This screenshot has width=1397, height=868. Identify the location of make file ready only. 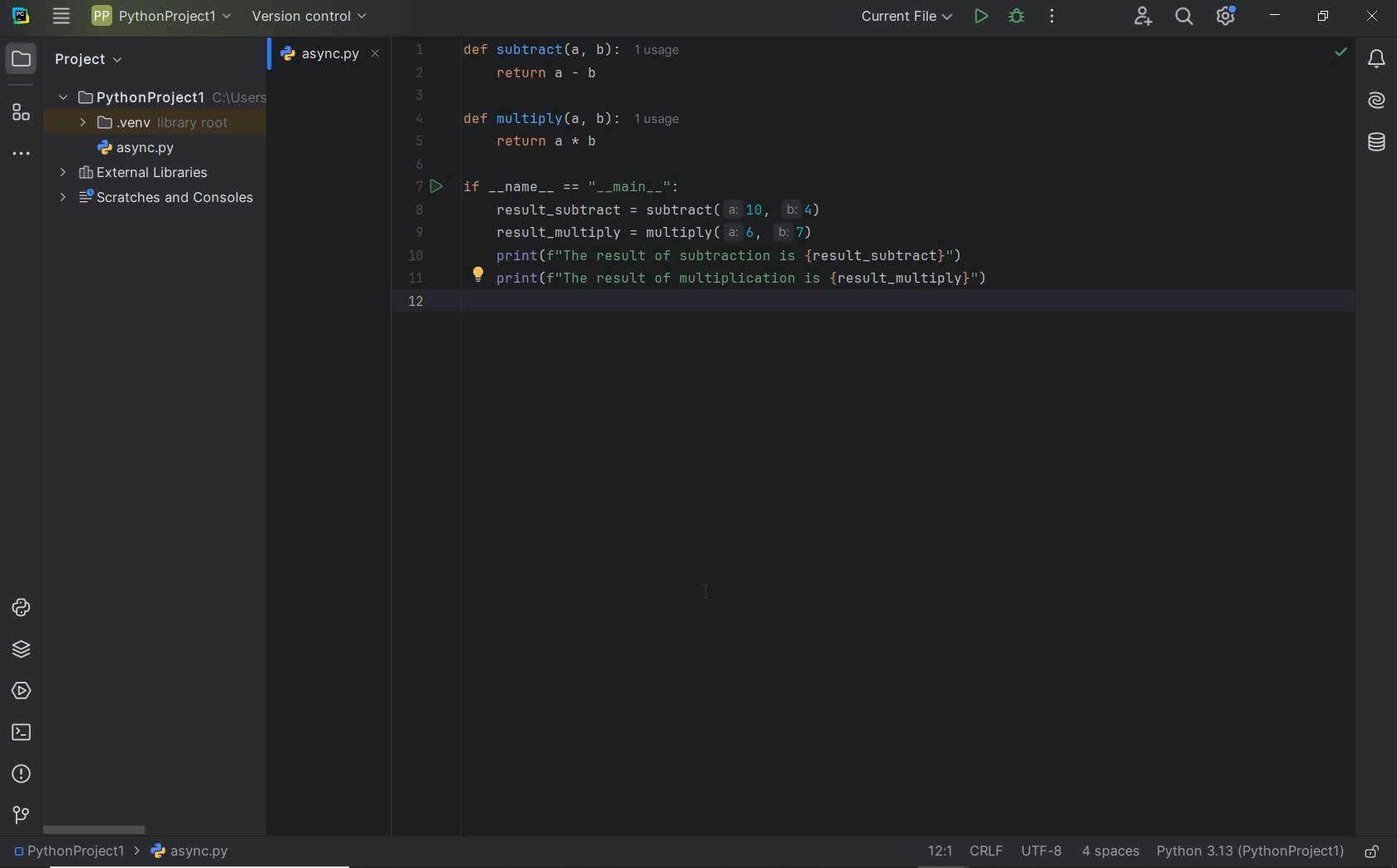
(1372, 853).